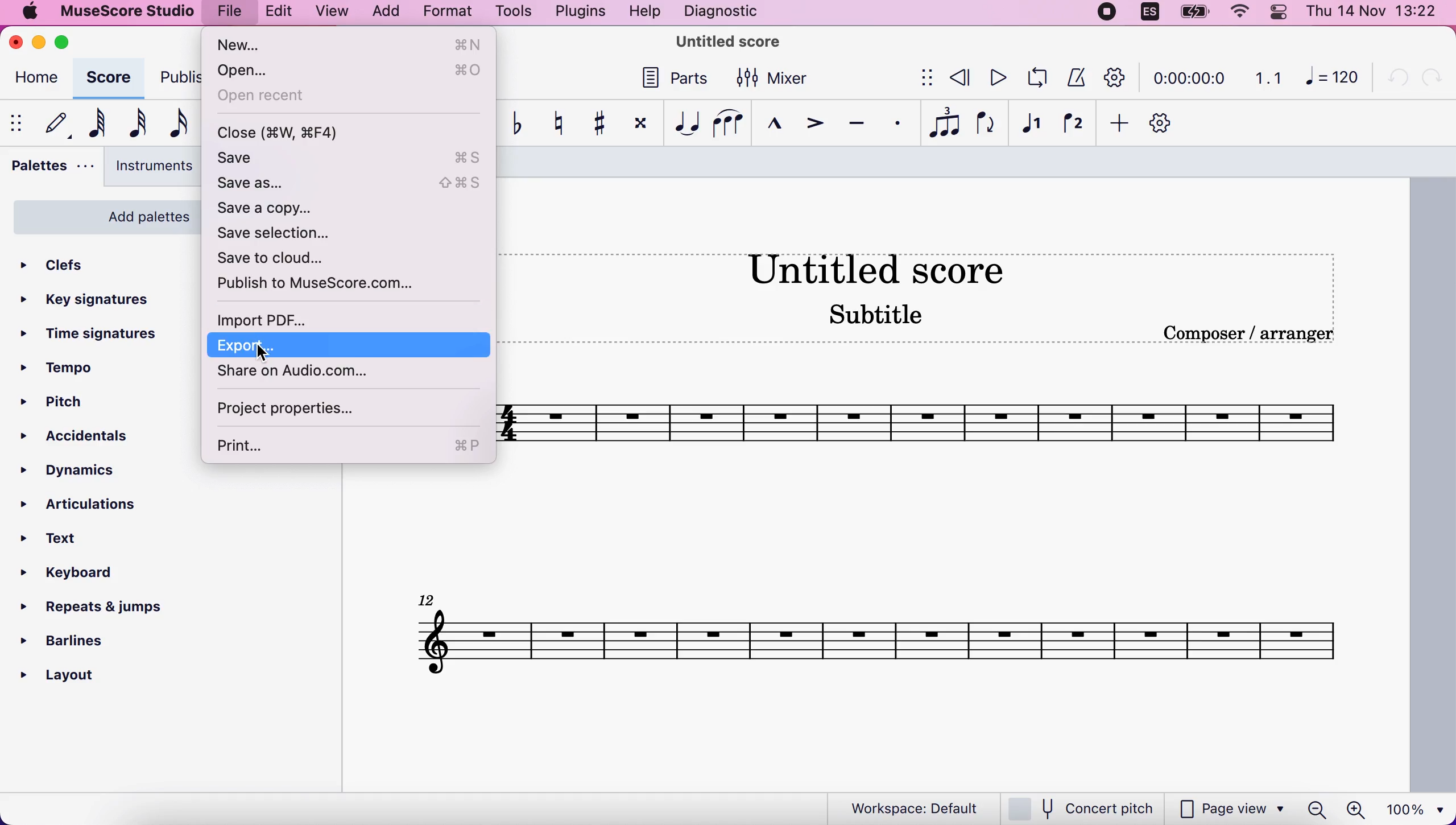 This screenshot has height=825, width=1456. Describe the element at coordinates (106, 610) in the screenshot. I see `repeats and jumps` at that location.